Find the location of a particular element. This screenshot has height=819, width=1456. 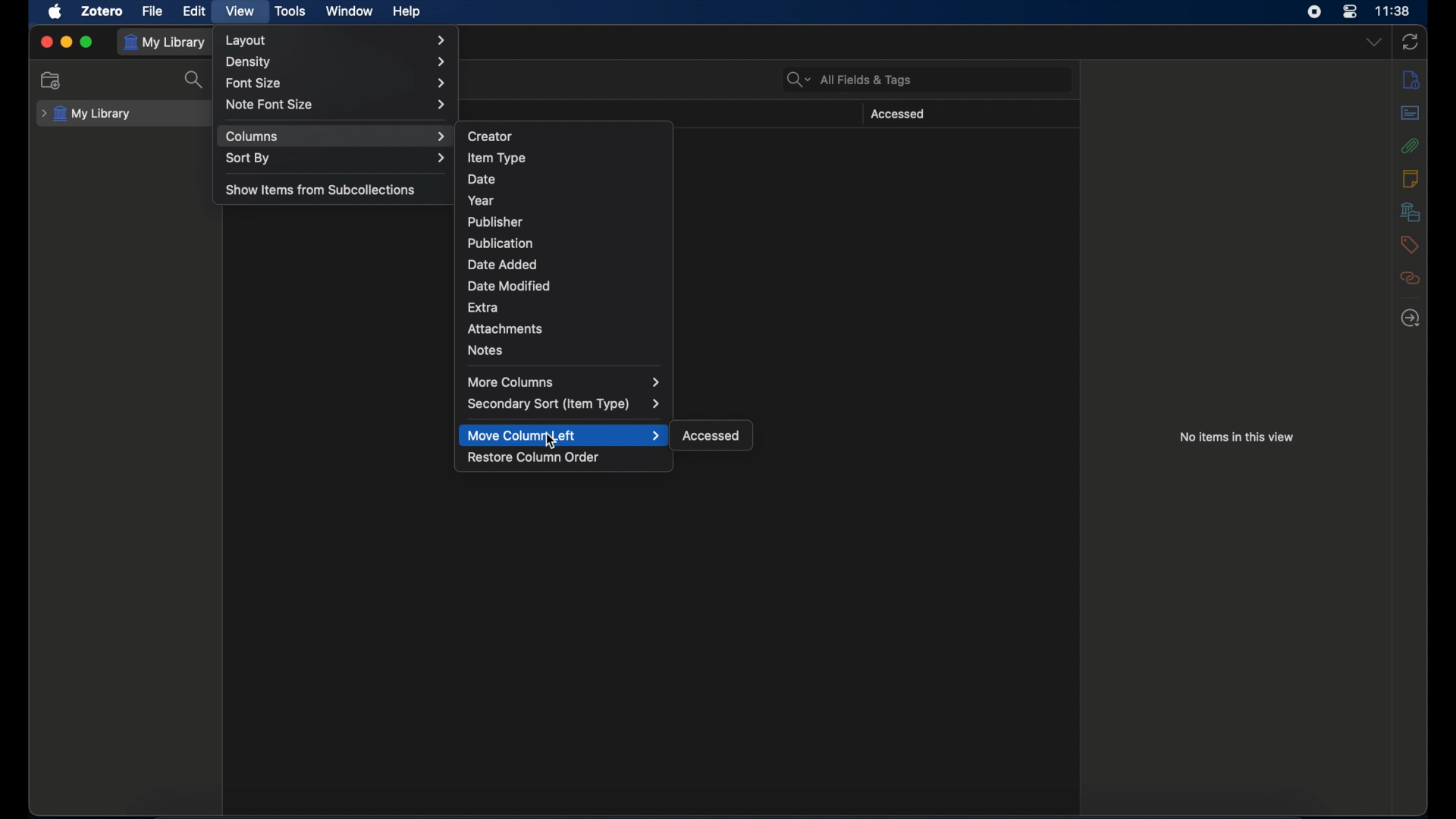

my library is located at coordinates (167, 42).